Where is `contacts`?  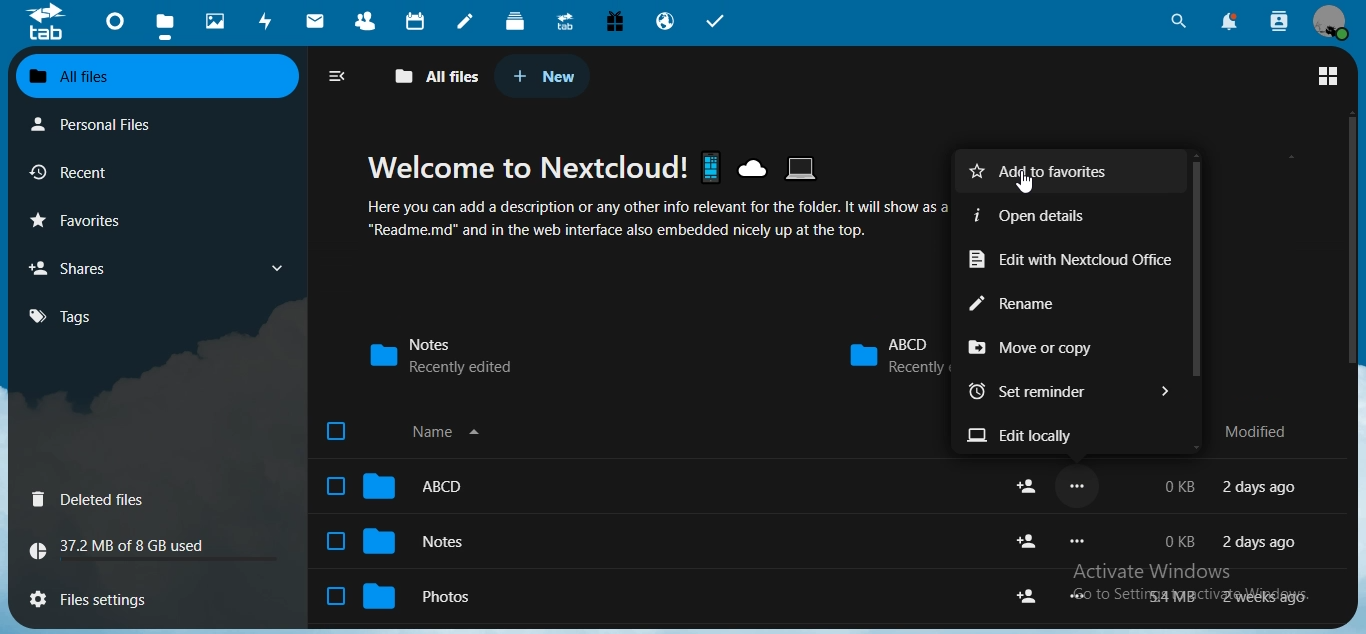
contacts is located at coordinates (365, 20).